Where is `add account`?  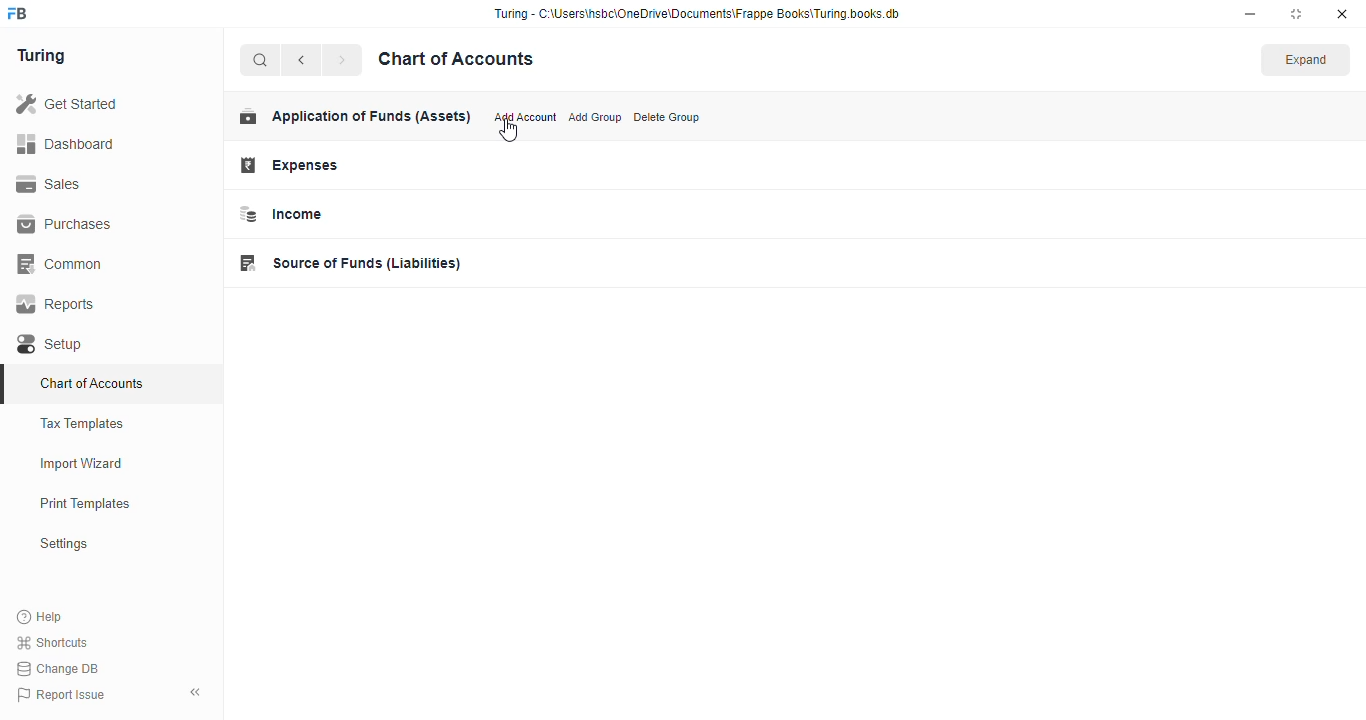
add account is located at coordinates (526, 116).